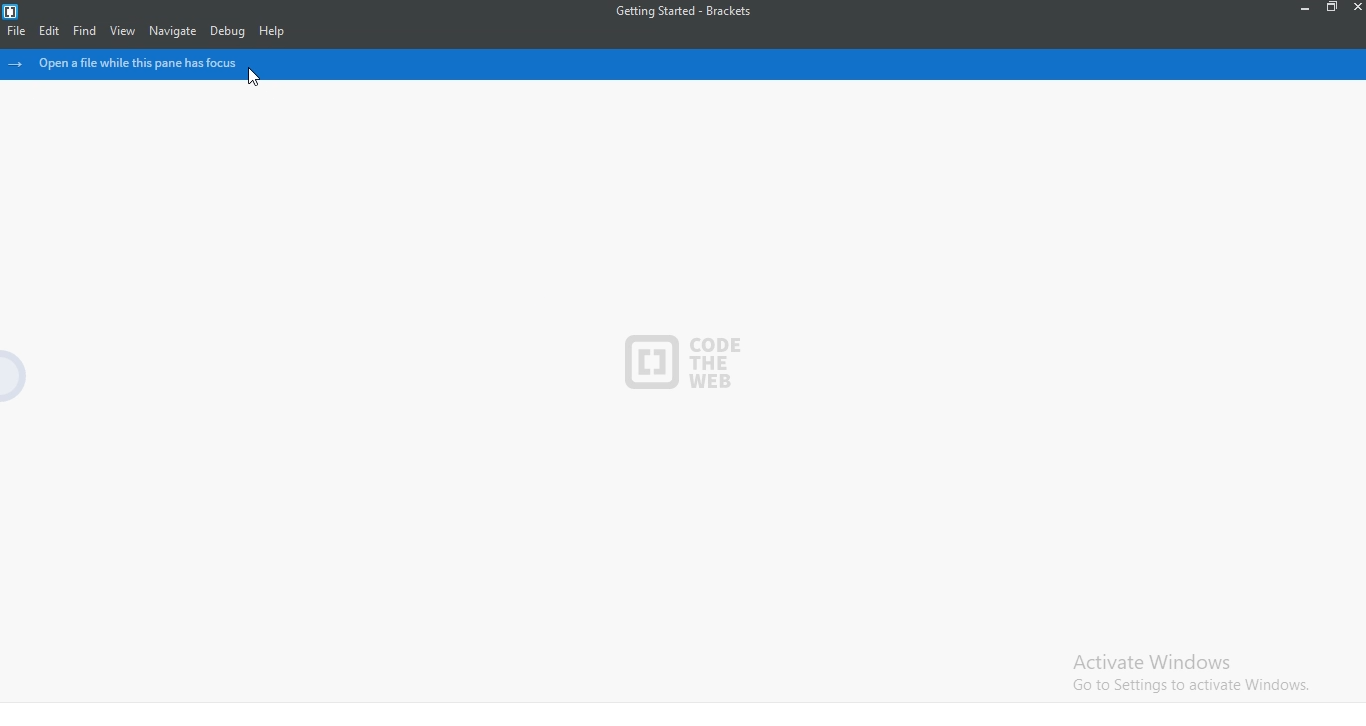 The width and height of the screenshot is (1366, 726). I want to click on cursor, so click(254, 81).